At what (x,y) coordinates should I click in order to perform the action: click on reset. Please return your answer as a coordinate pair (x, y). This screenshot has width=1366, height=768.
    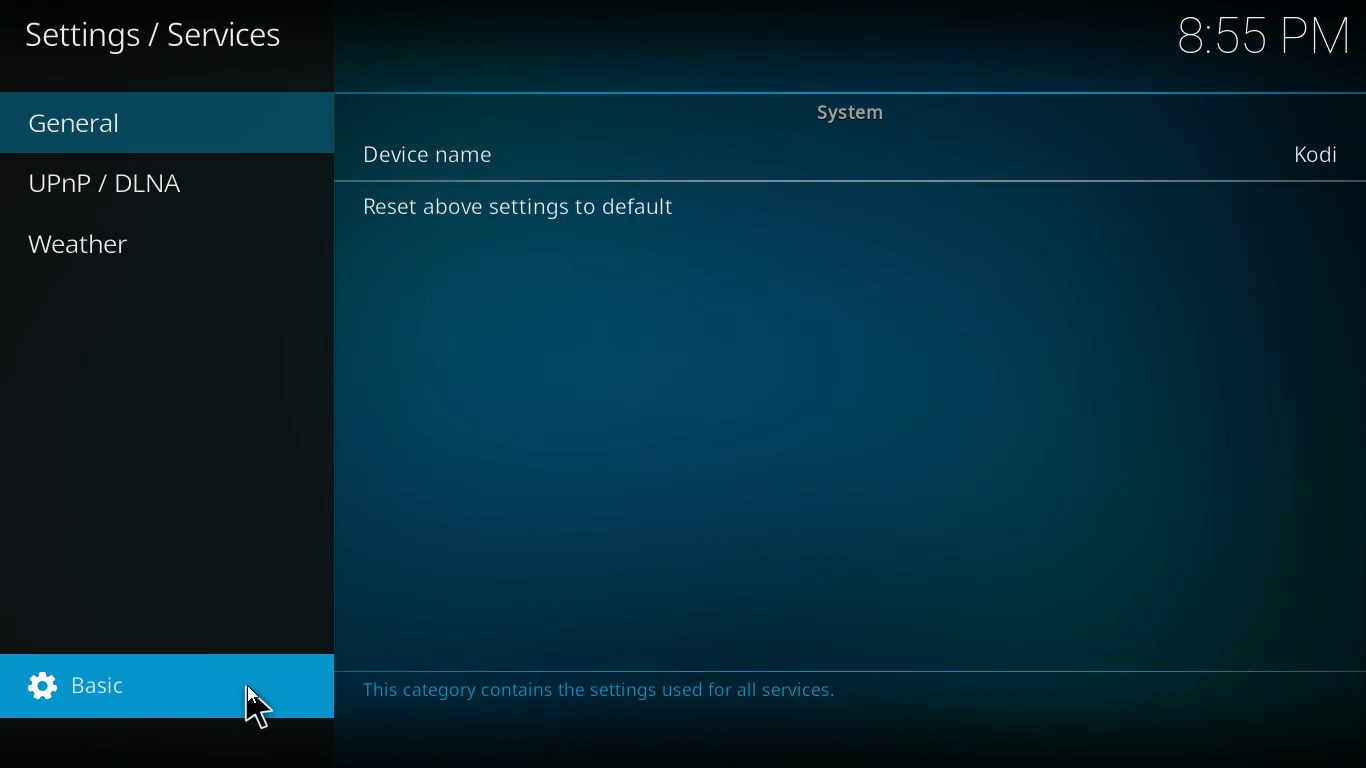
    Looking at the image, I should click on (525, 208).